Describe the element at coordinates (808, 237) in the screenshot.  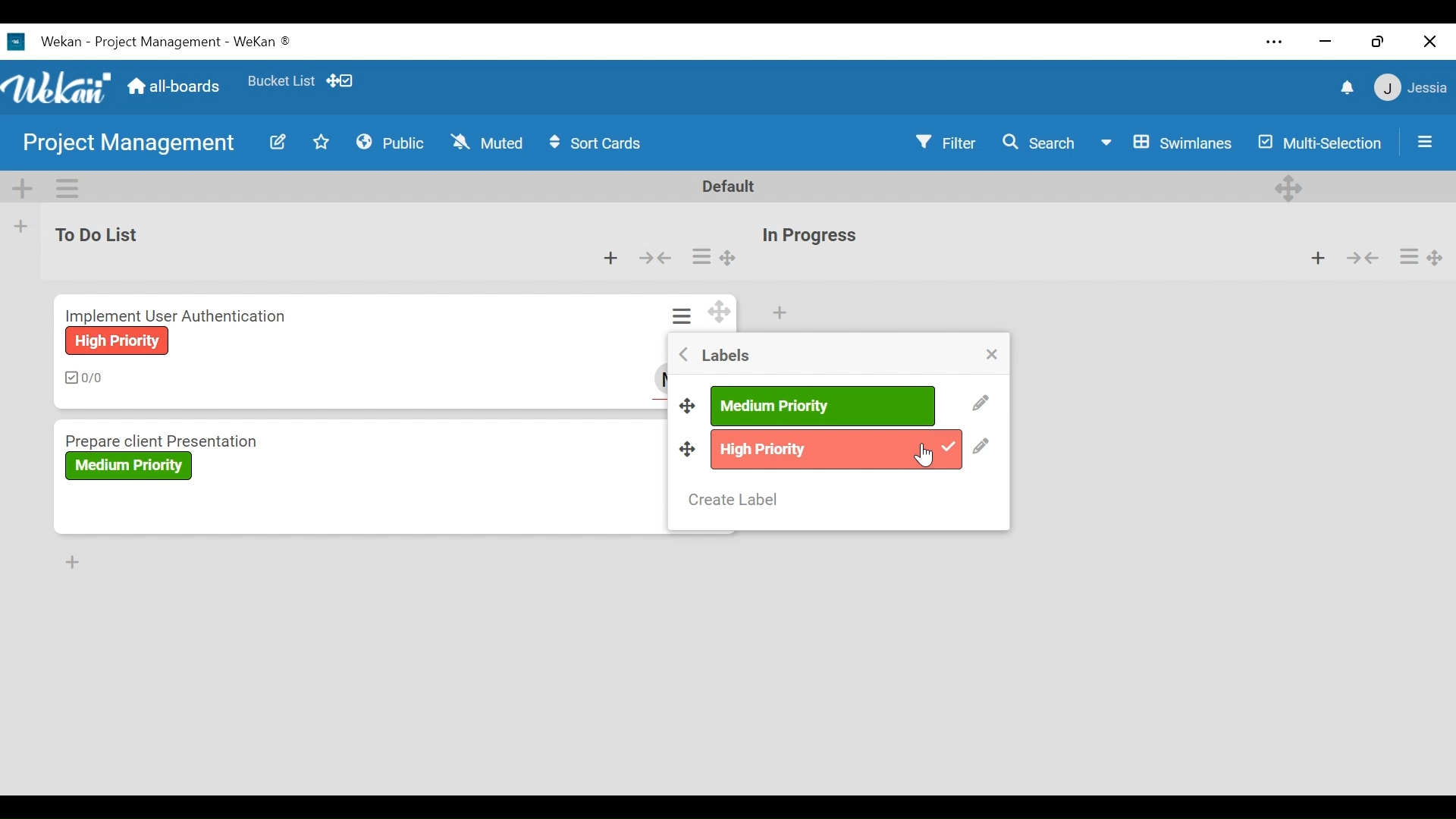
I see `List Title` at that location.